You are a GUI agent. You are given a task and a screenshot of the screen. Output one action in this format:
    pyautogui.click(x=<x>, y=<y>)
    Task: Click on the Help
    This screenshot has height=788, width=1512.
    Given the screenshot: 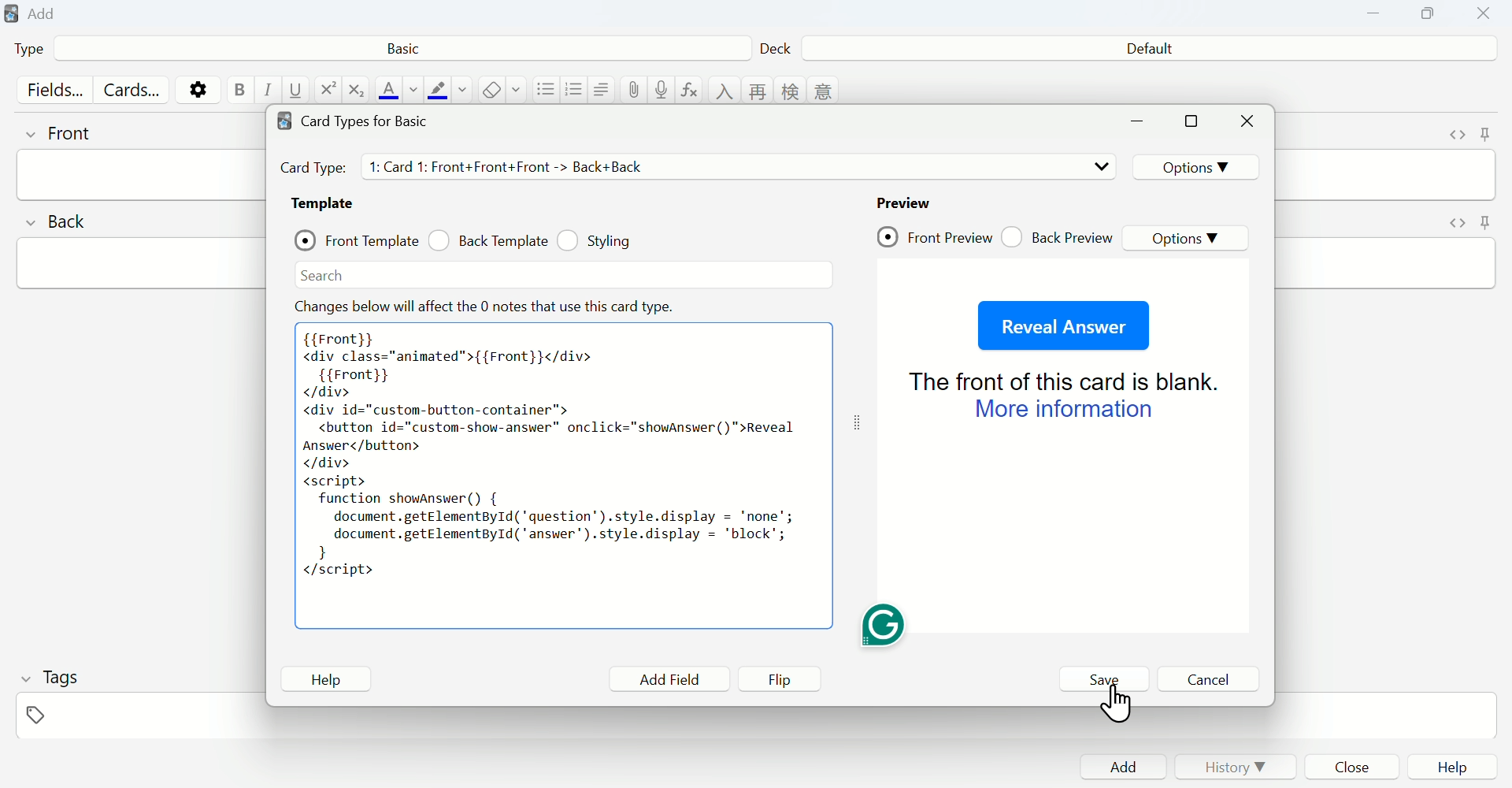 What is the action you would take?
    pyautogui.click(x=1453, y=767)
    